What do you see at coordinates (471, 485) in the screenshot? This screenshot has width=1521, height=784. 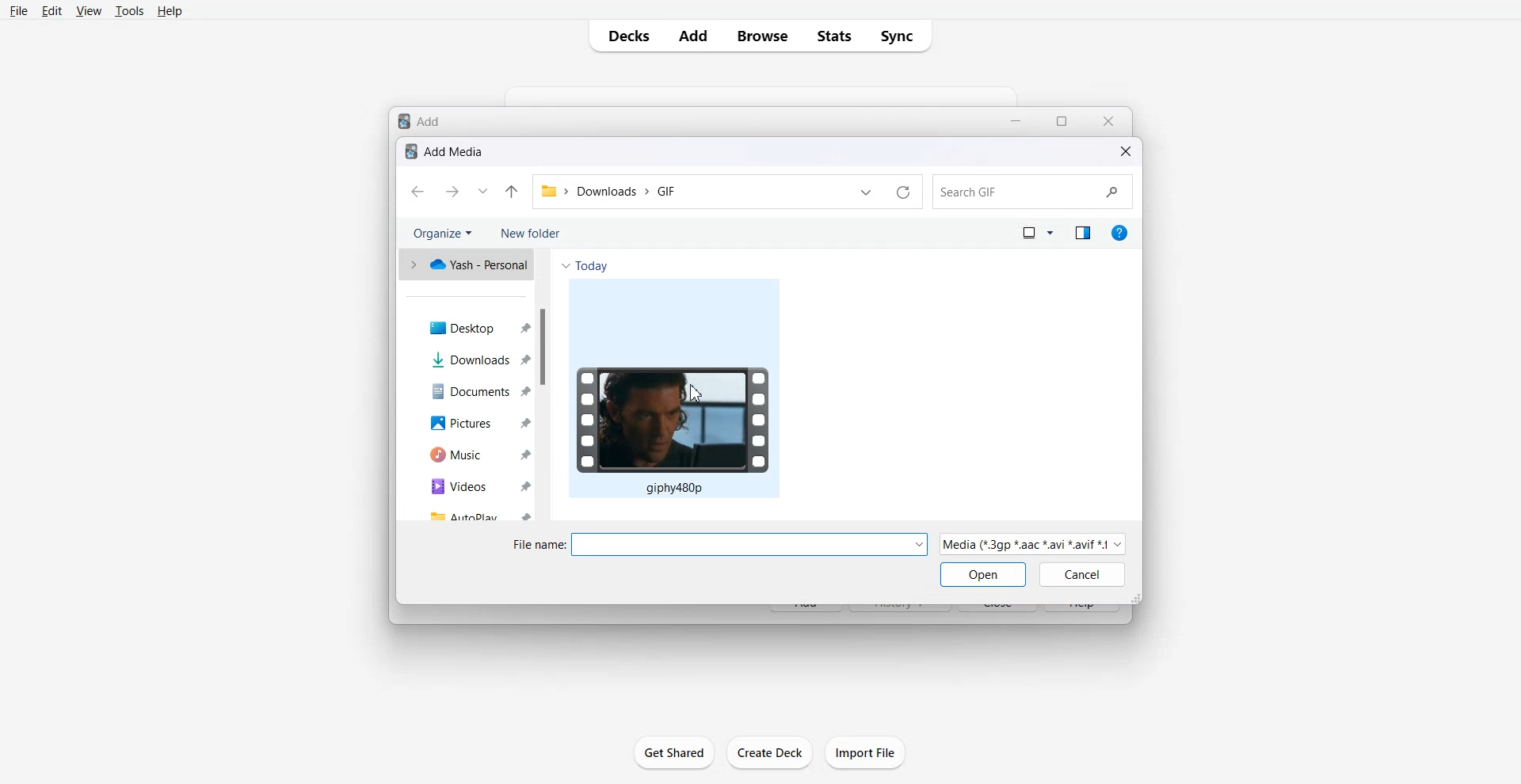 I see `Videos` at bounding box center [471, 485].